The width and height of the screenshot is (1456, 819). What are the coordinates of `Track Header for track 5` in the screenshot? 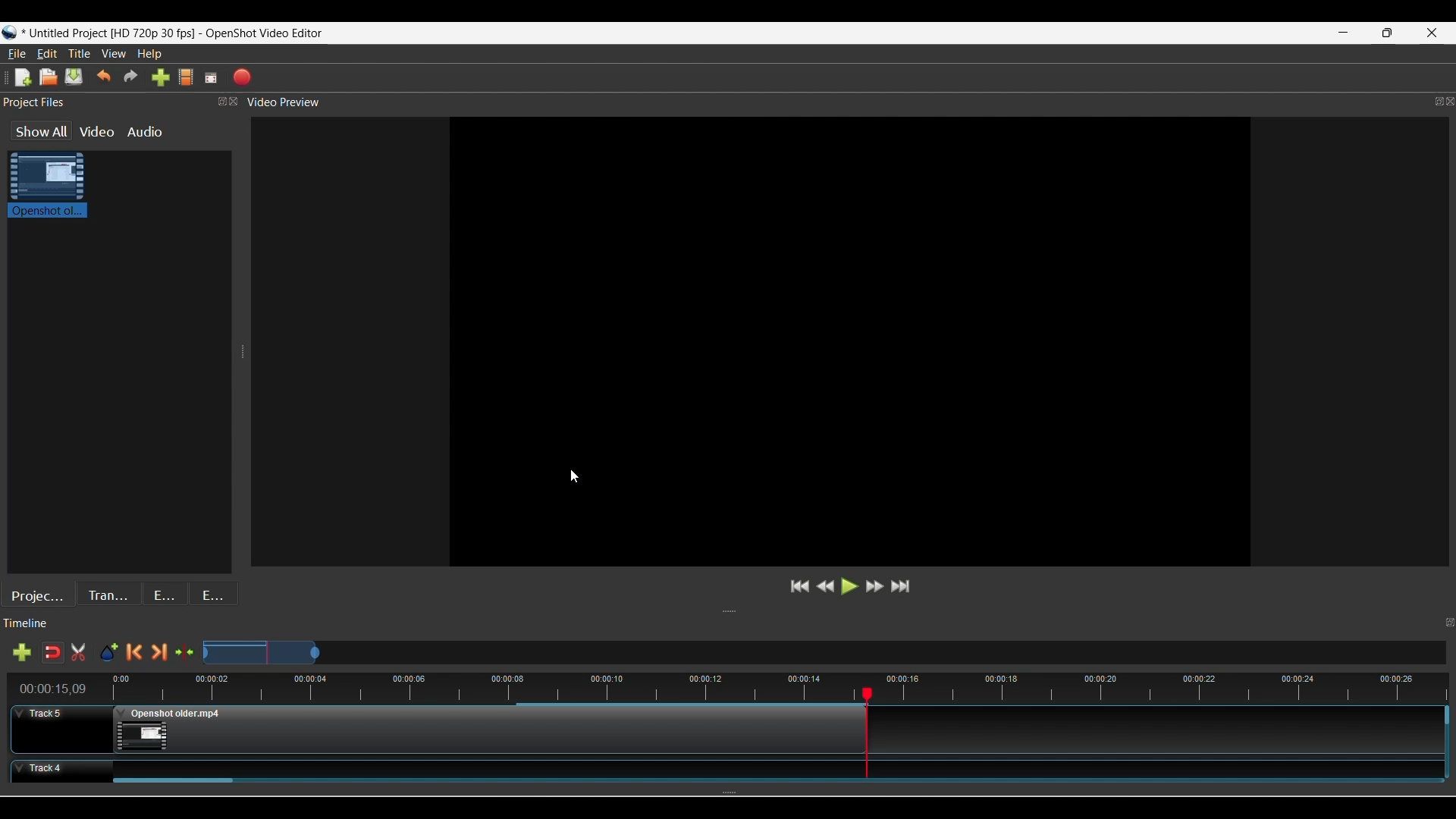 It's located at (61, 729).